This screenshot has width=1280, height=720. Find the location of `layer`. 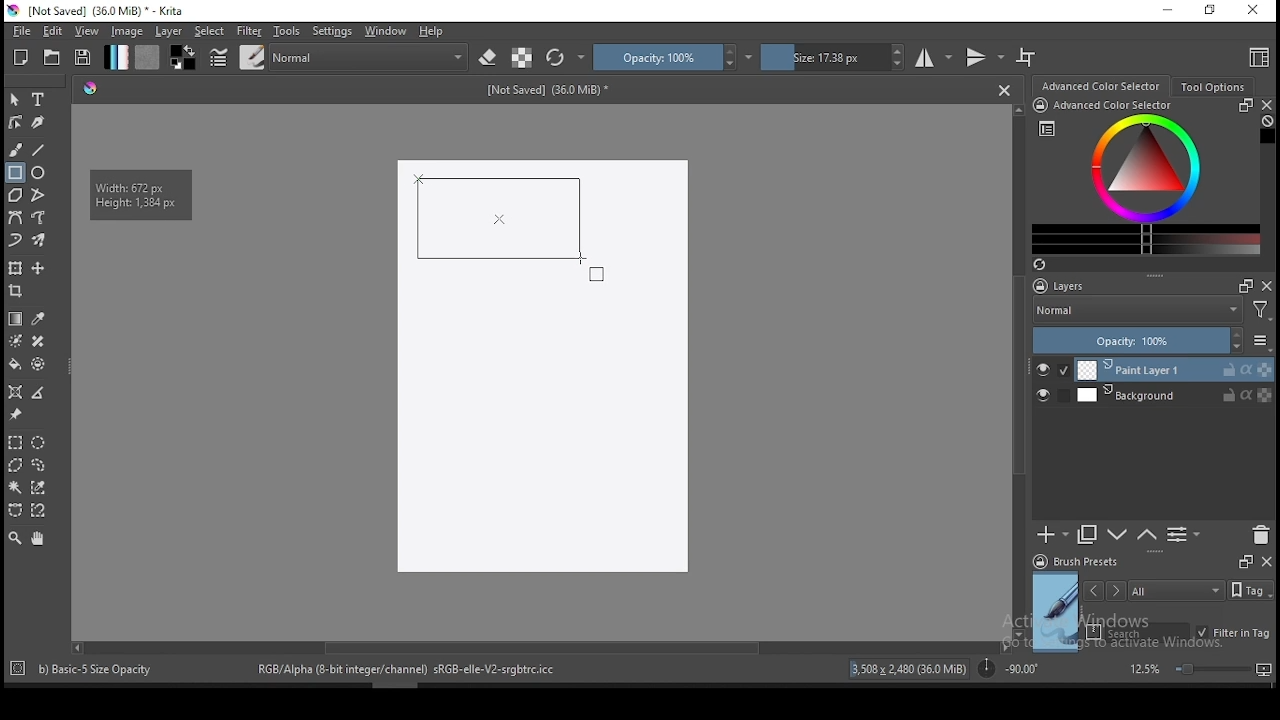

layer is located at coordinates (1174, 395).